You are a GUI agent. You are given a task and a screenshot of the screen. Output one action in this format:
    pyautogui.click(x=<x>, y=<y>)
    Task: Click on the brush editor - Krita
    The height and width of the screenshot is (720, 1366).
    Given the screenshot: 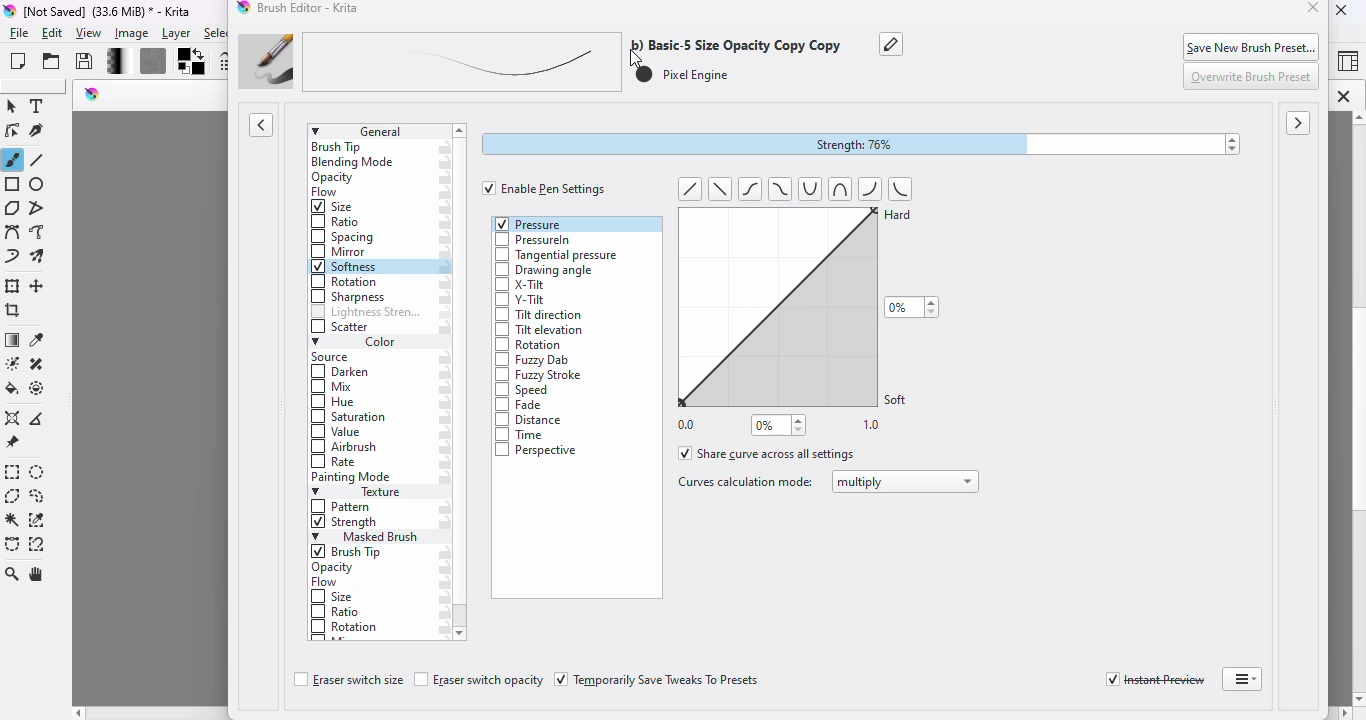 What is the action you would take?
    pyautogui.click(x=311, y=8)
    